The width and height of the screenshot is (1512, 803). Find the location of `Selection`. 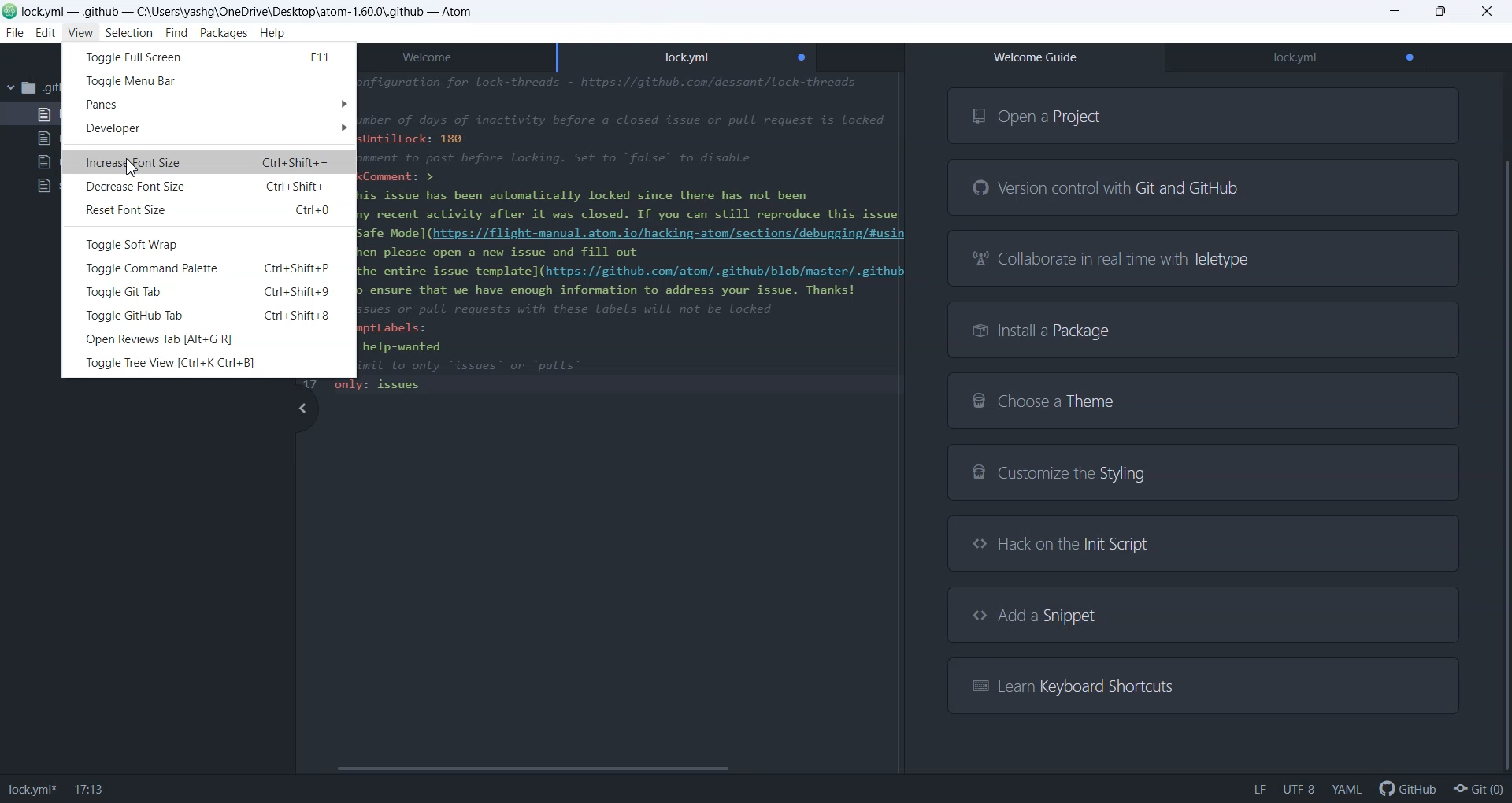

Selection is located at coordinates (128, 34).